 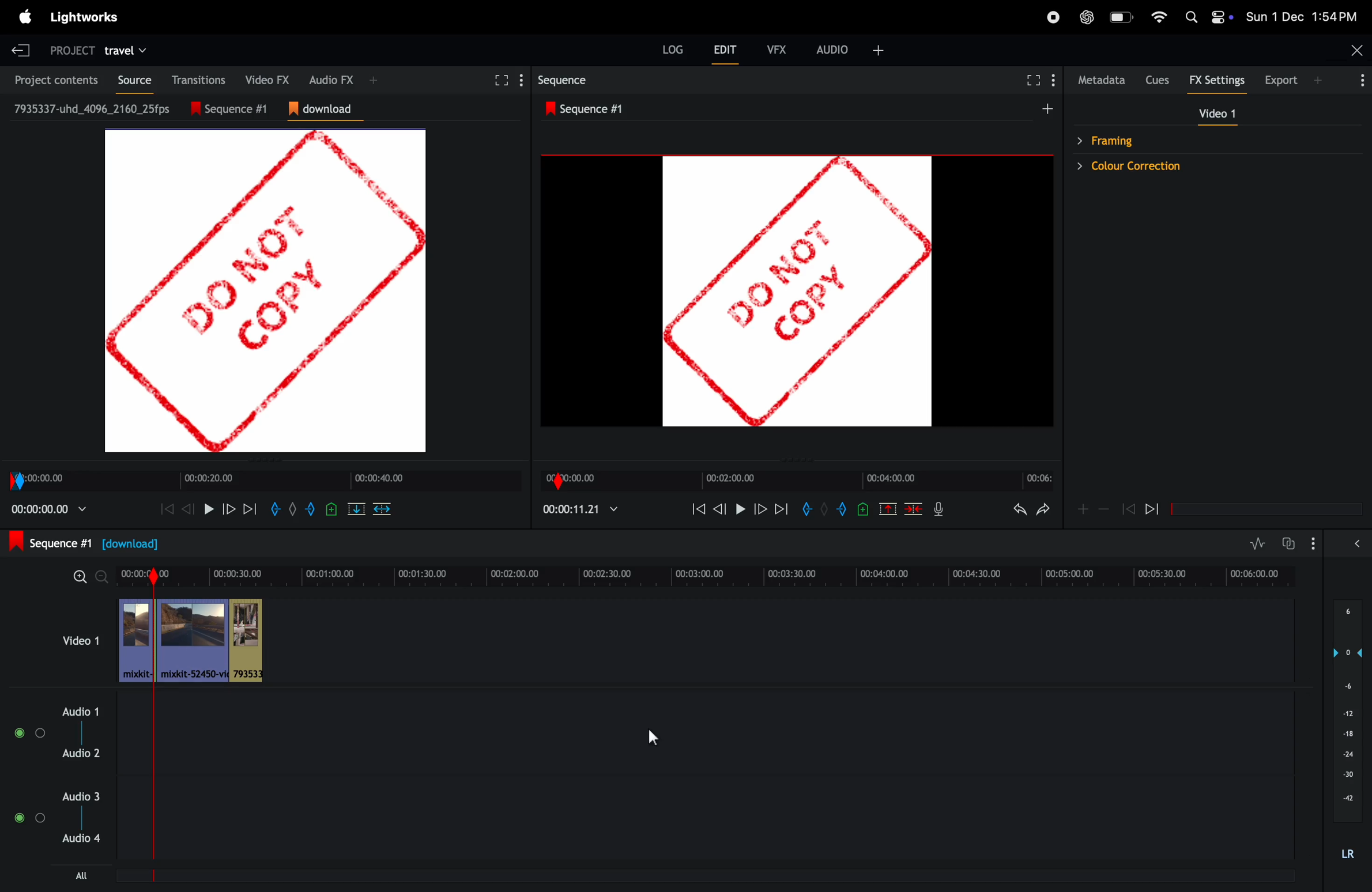 What do you see at coordinates (1159, 80) in the screenshot?
I see `cues` at bounding box center [1159, 80].